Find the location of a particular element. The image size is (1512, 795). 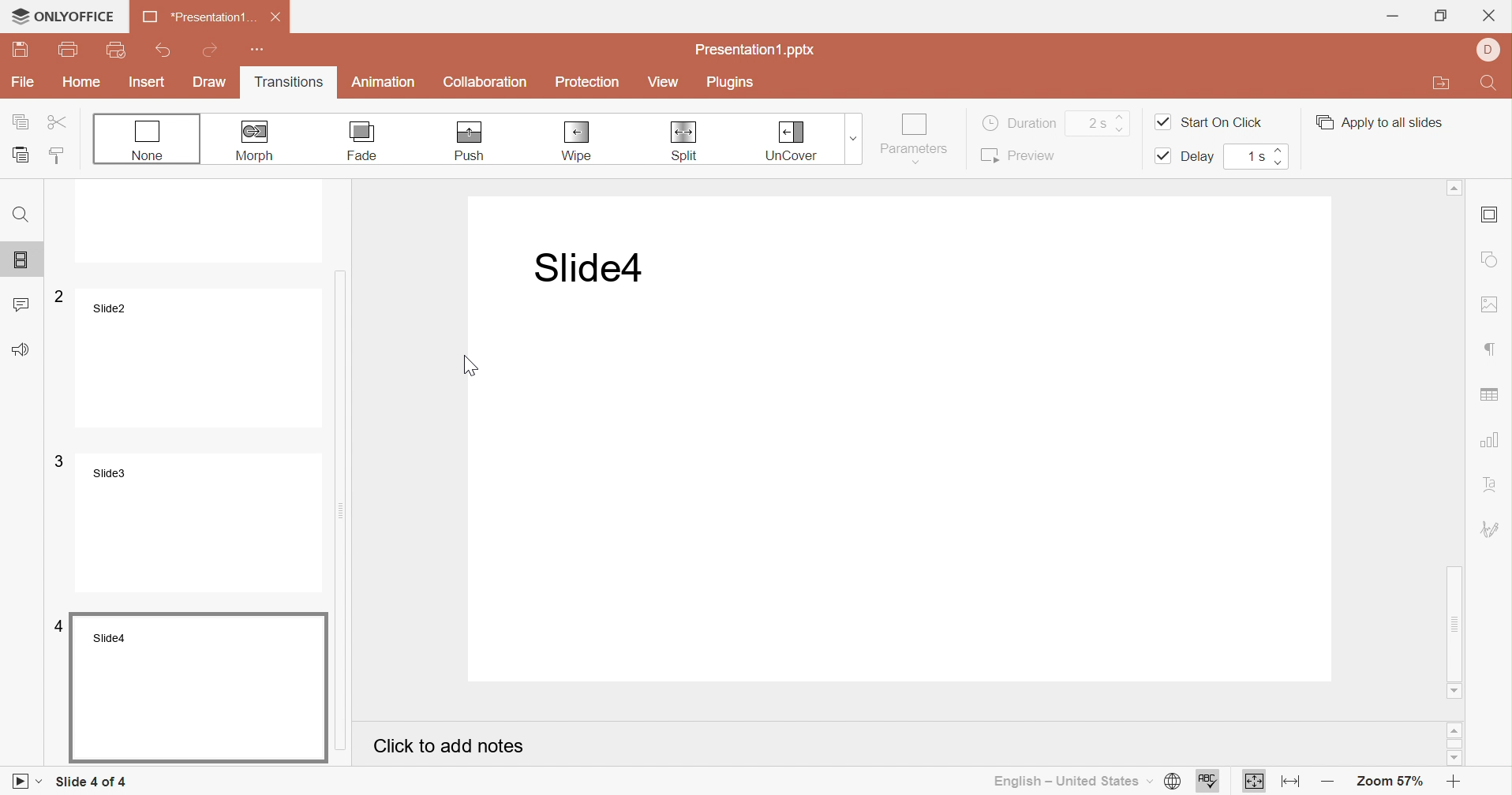

Start on click is located at coordinates (1209, 121).